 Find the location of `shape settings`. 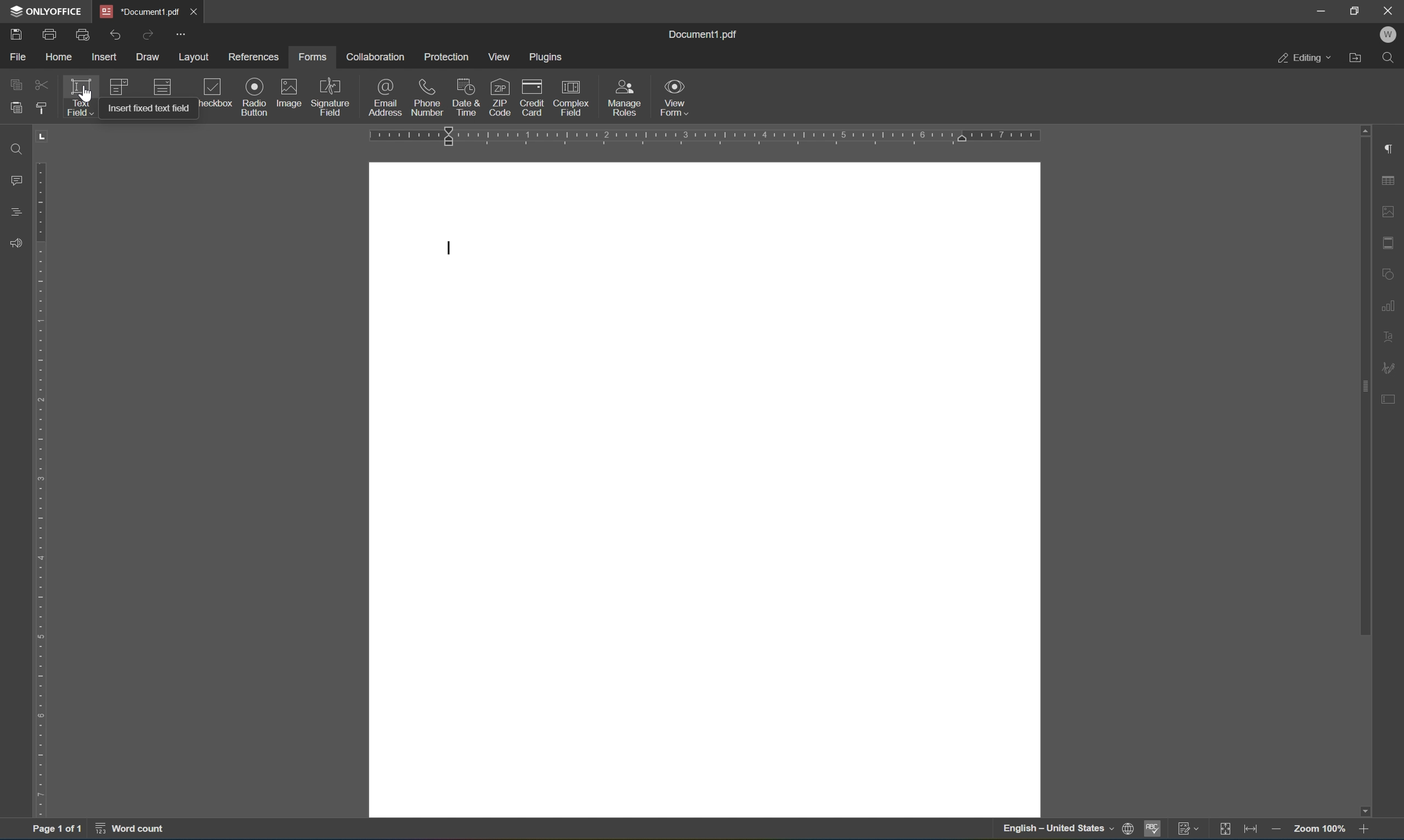

shape settings is located at coordinates (1390, 273).